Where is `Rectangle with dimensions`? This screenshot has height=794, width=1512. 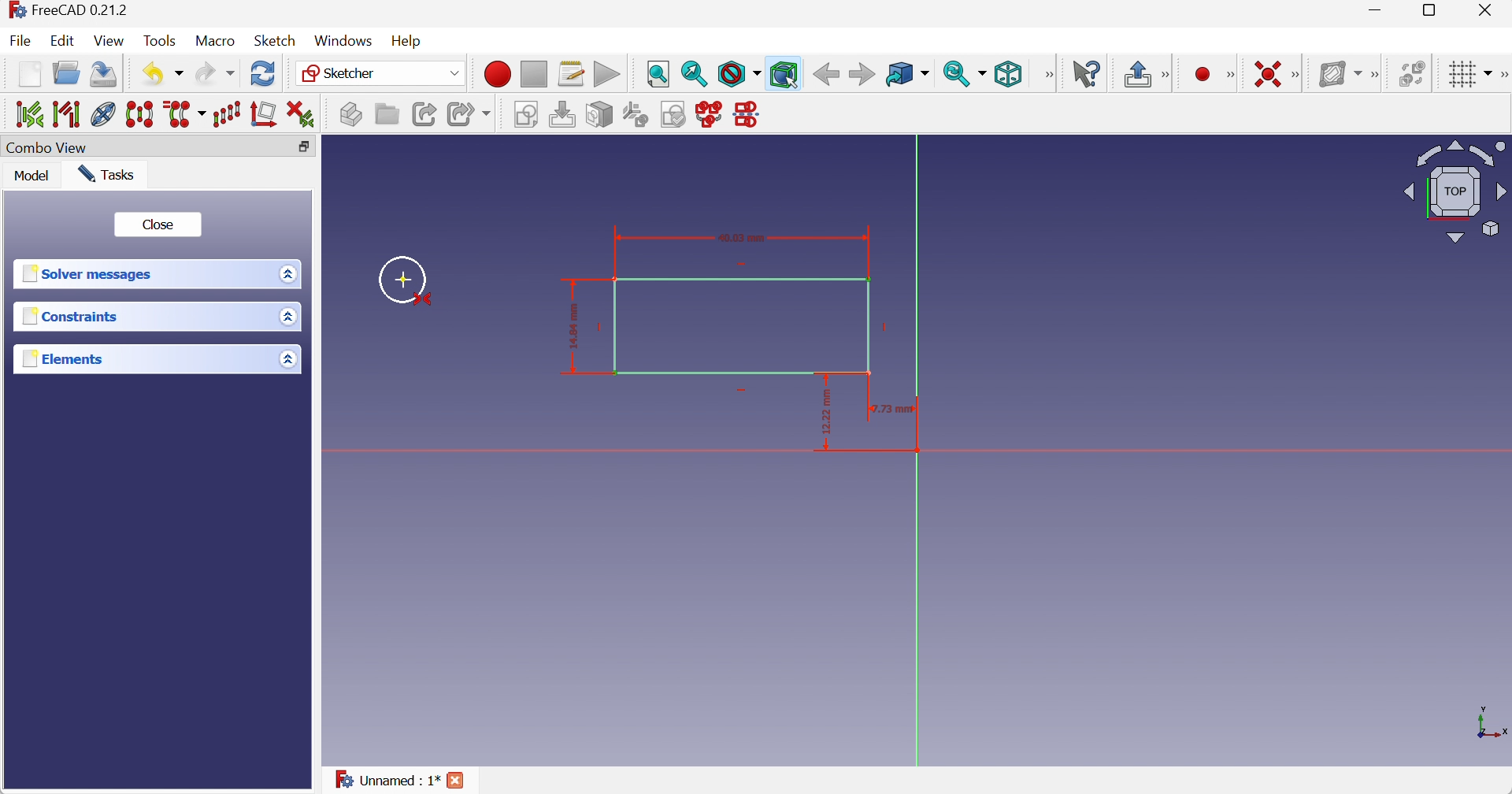
Rectangle with dimensions is located at coordinates (710, 306).